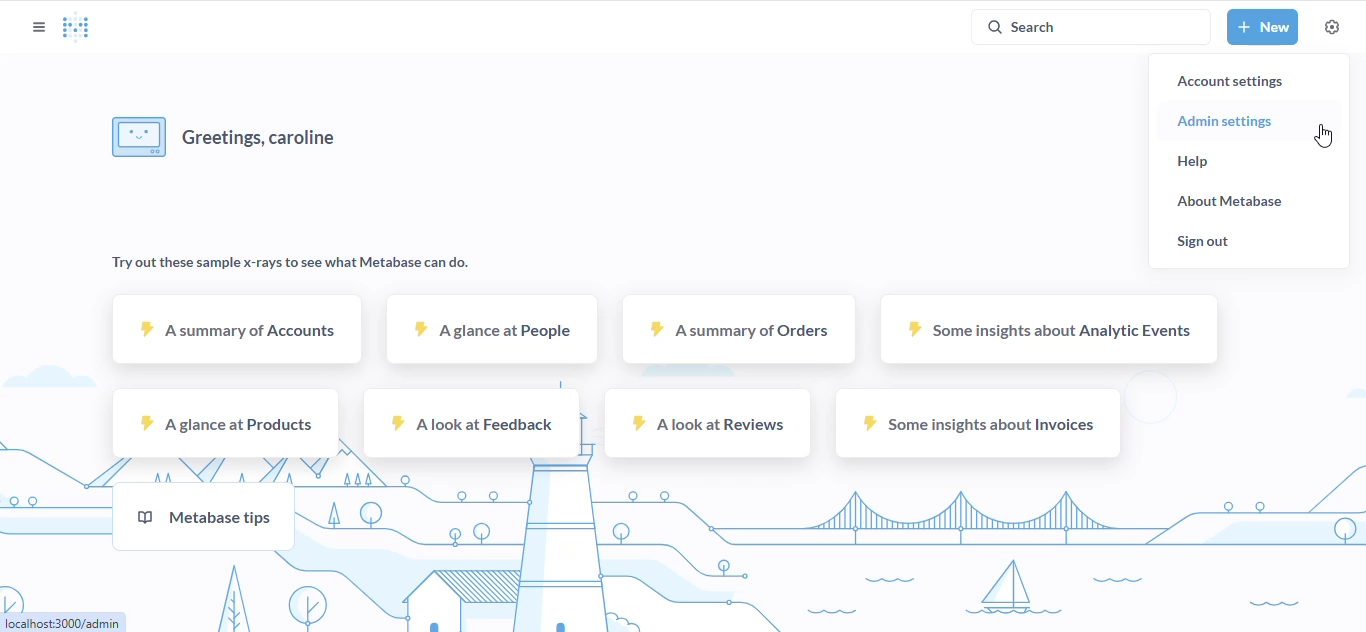  I want to click on account settings, so click(1229, 81).